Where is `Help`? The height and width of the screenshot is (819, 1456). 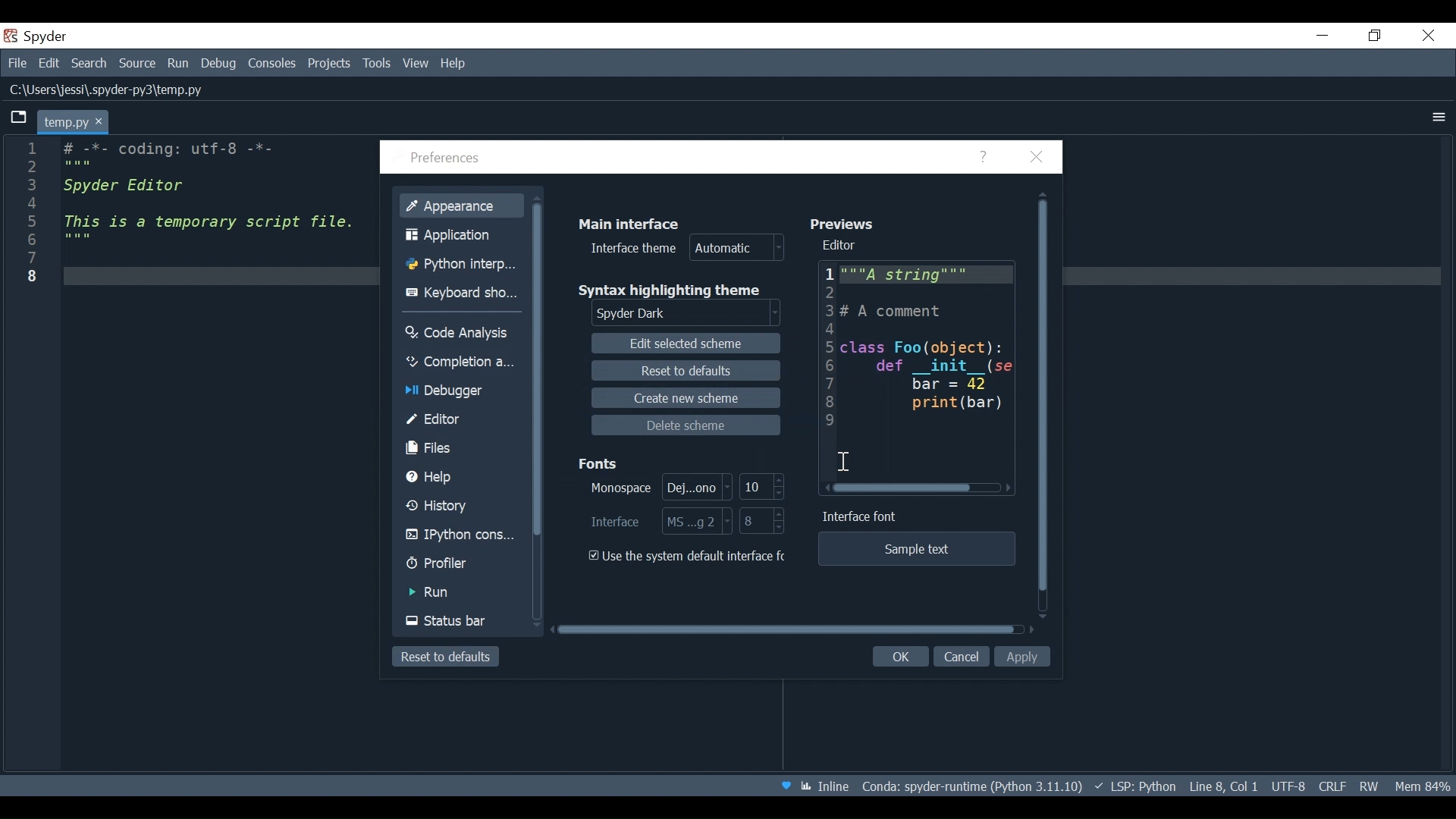 Help is located at coordinates (454, 63).